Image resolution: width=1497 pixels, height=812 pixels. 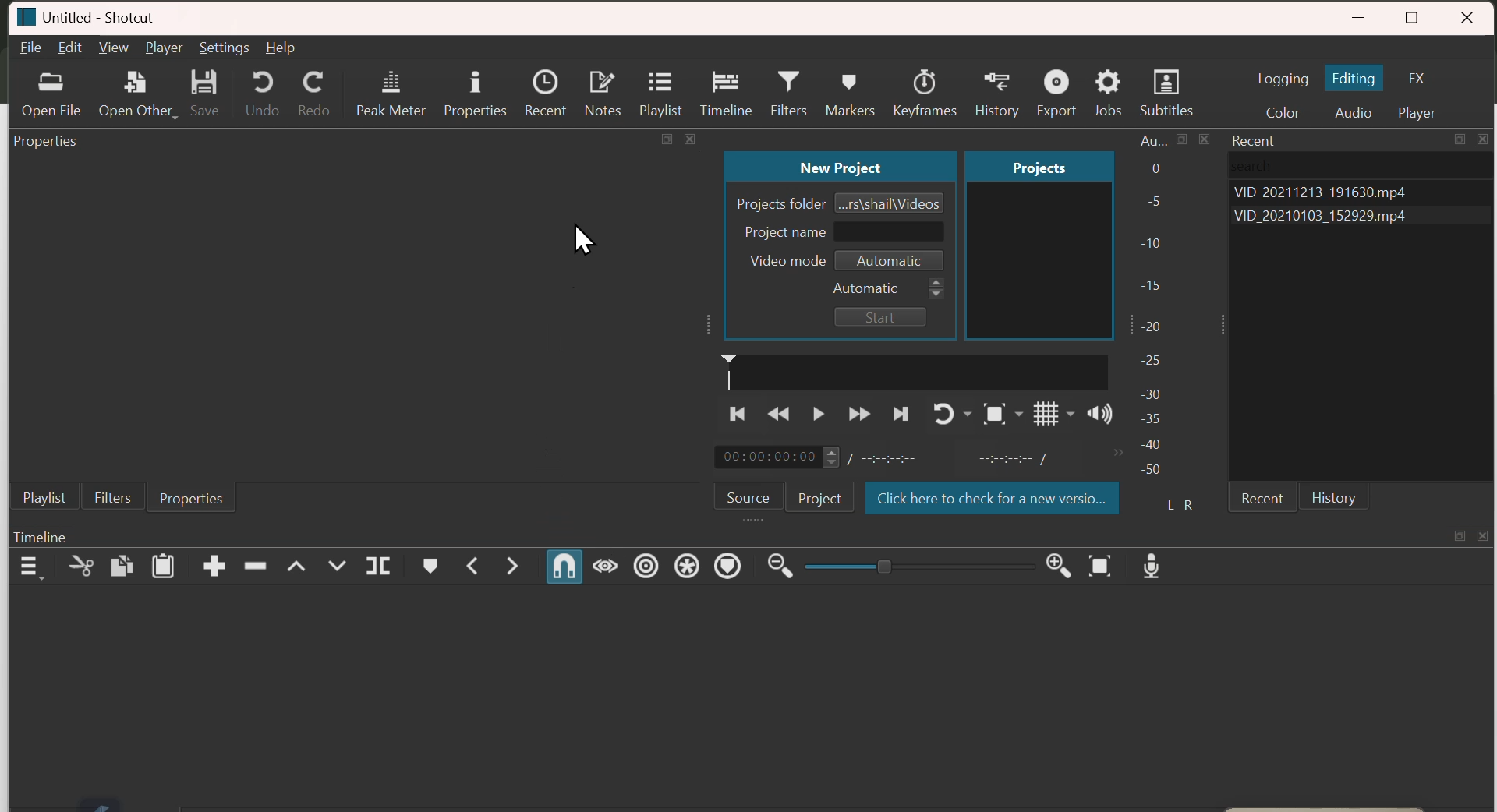 What do you see at coordinates (1353, 108) in the screenshot?
I see `Audio` at bounding box center [1353, 108].